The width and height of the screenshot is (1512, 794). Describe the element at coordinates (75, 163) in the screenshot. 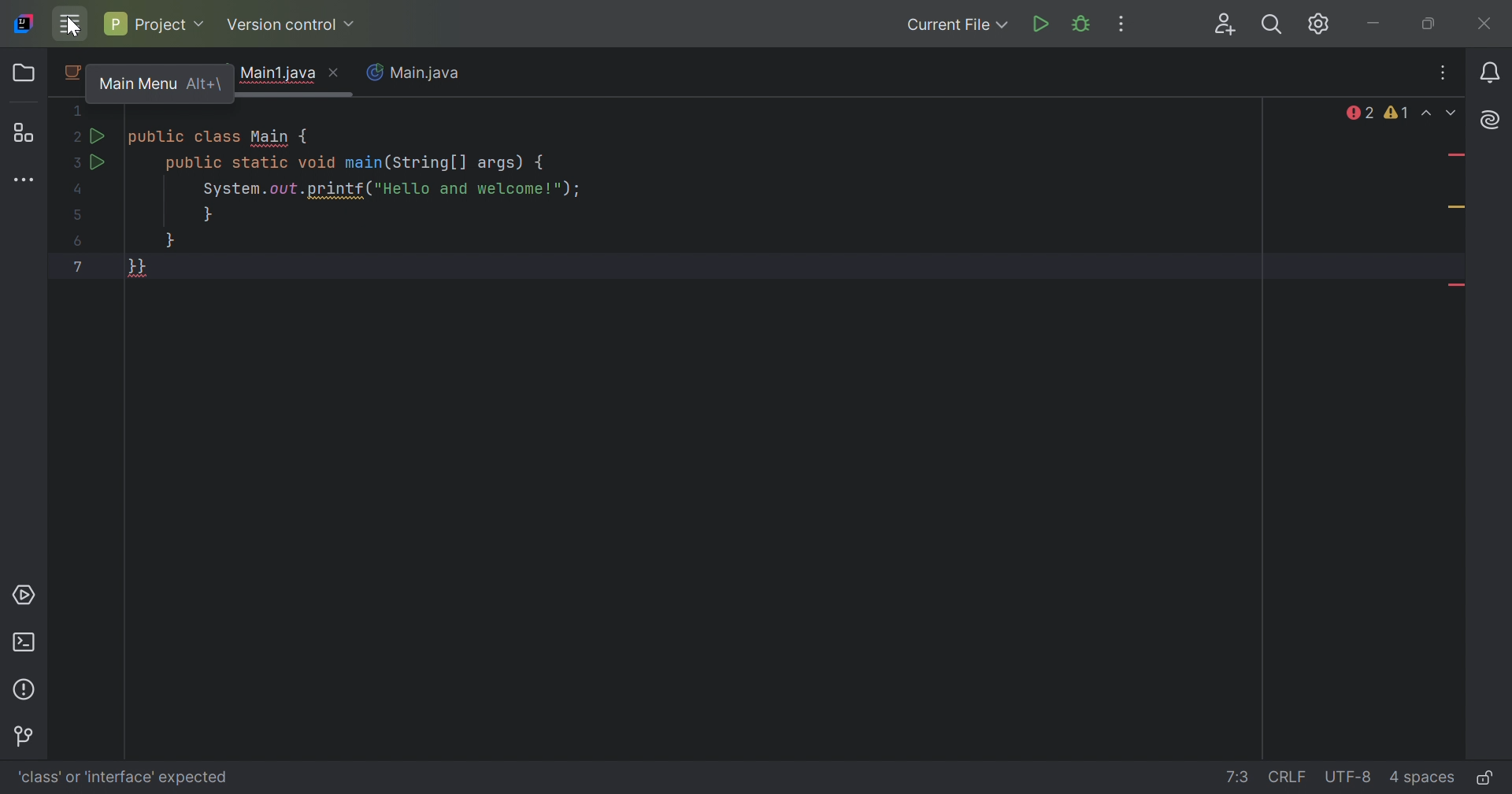

I see `3` at that location.